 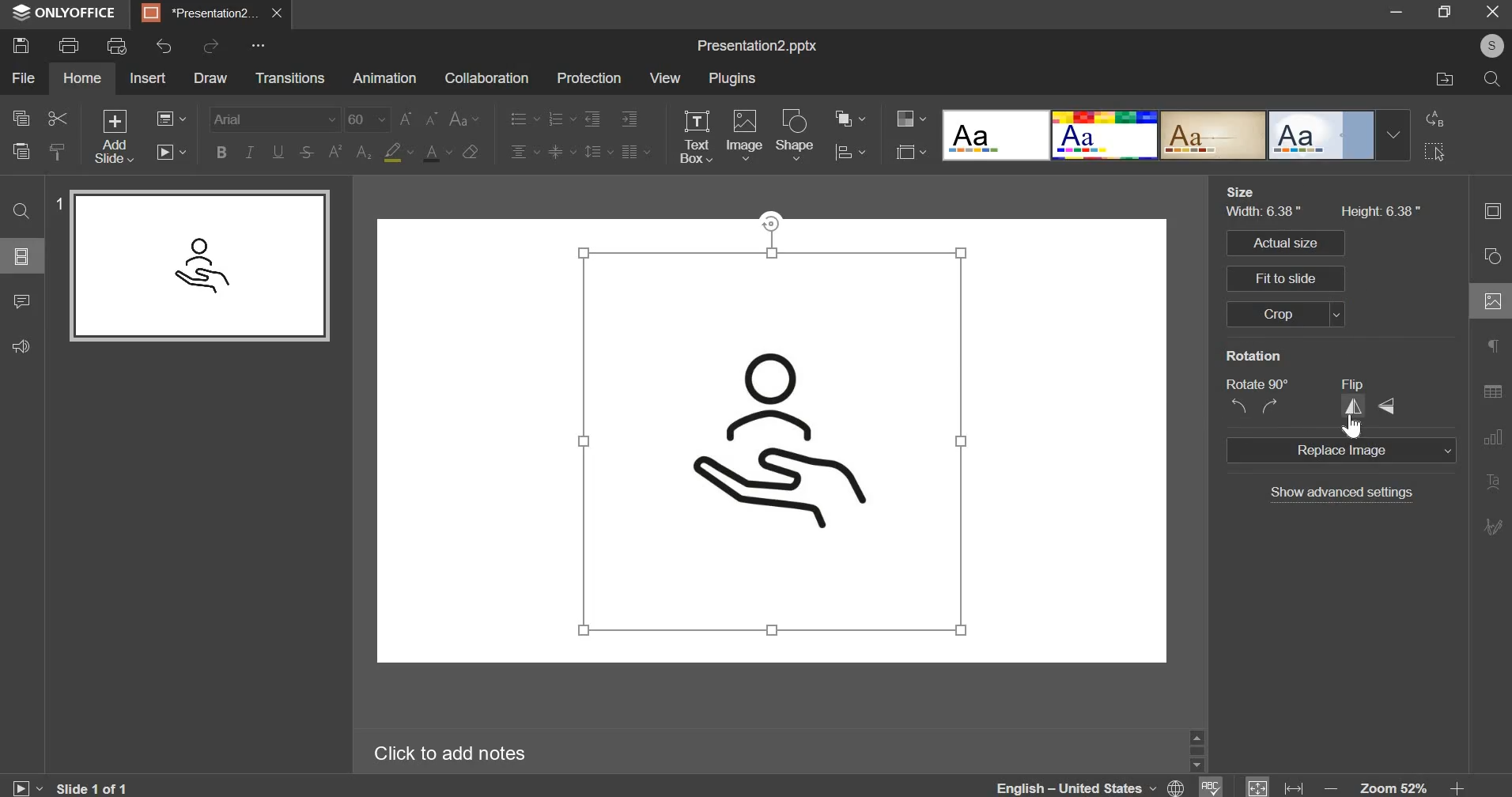 What do you see at coordinates (1491, 259) in the screenshot?
I see `shapes` at bounding box center [1491, 259].